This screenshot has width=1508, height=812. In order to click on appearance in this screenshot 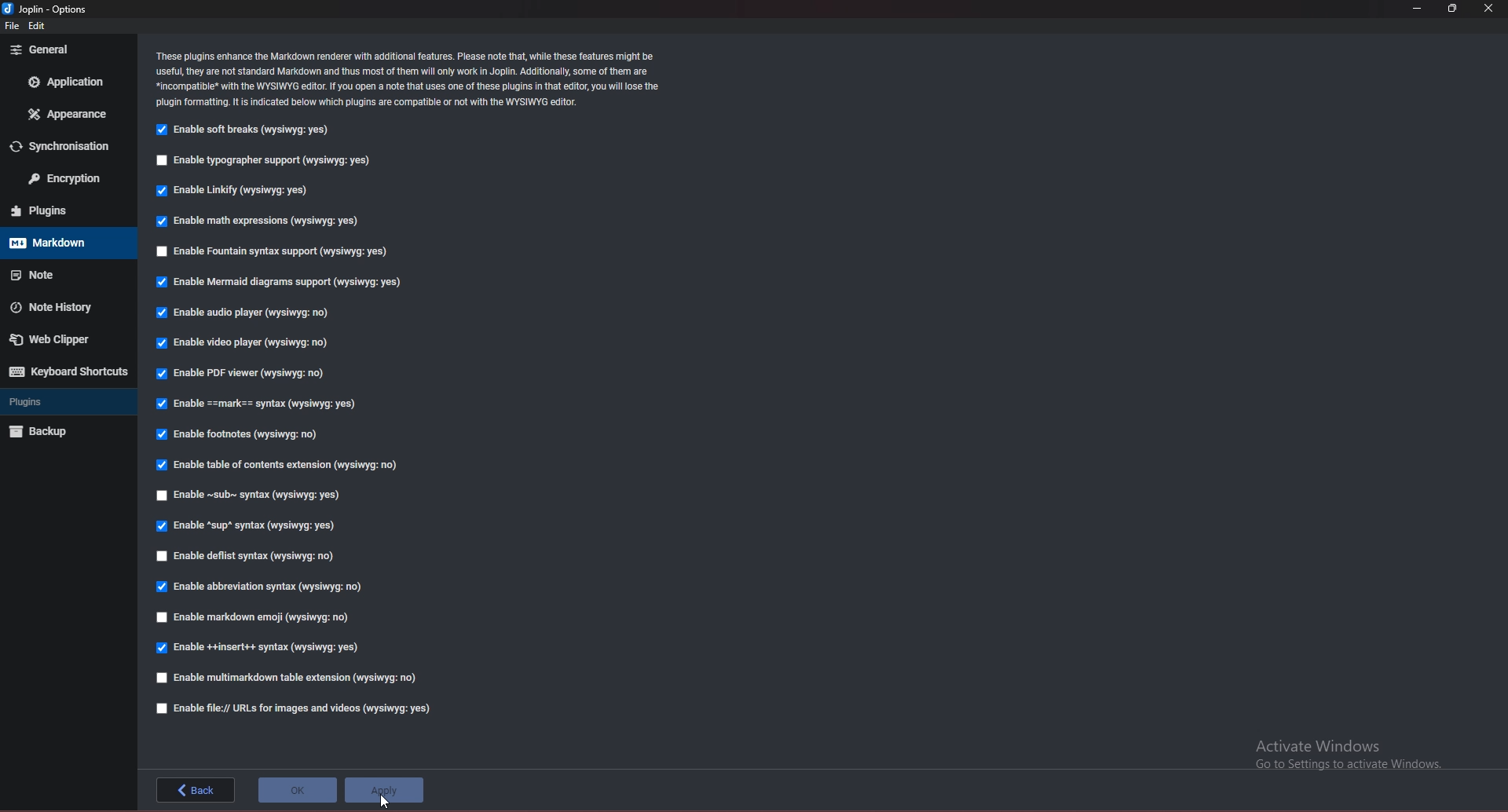, I will do `click(68, 113)`.